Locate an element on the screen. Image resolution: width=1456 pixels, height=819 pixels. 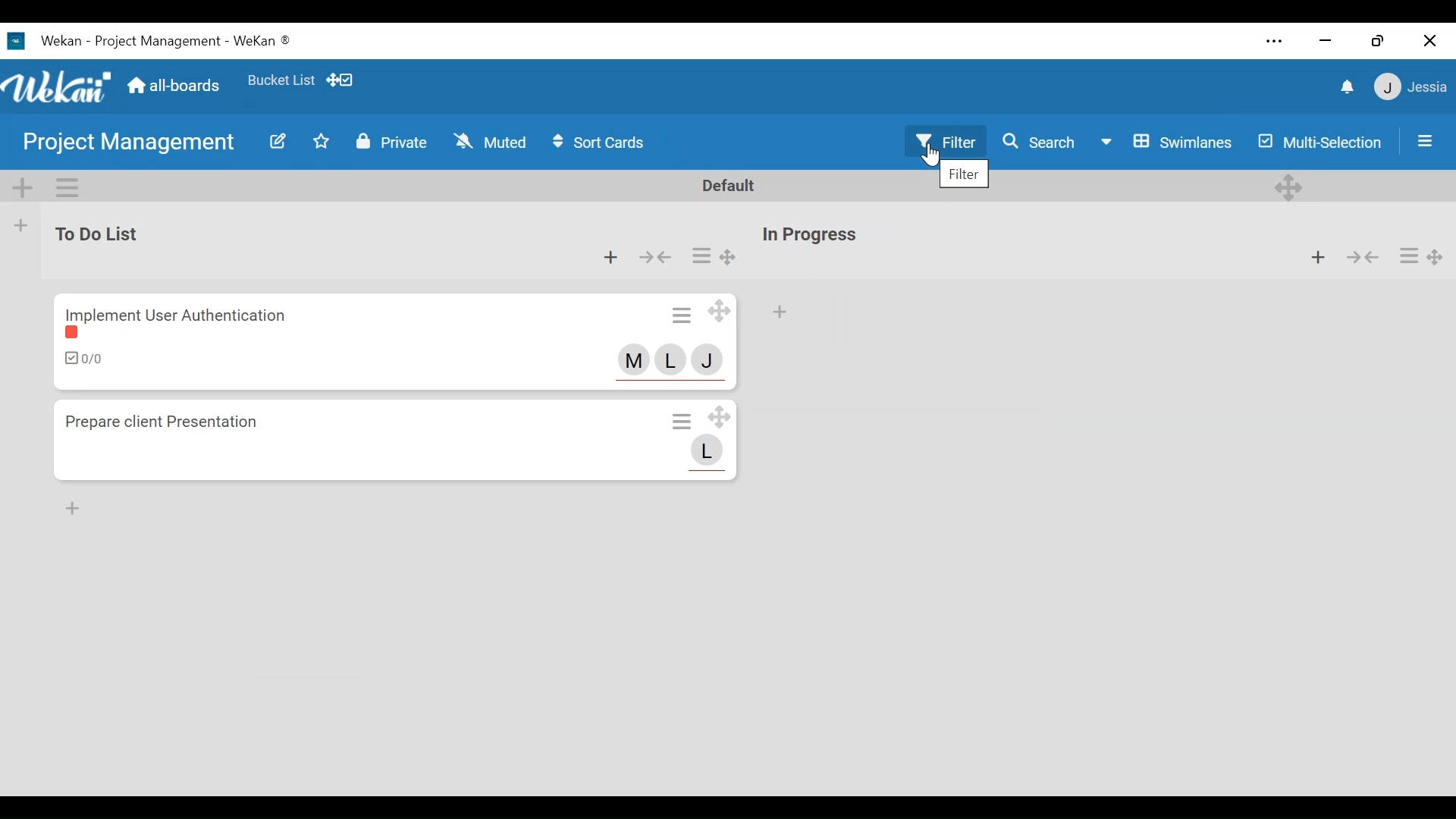
filter- popup is located at coordinates (963, 175).